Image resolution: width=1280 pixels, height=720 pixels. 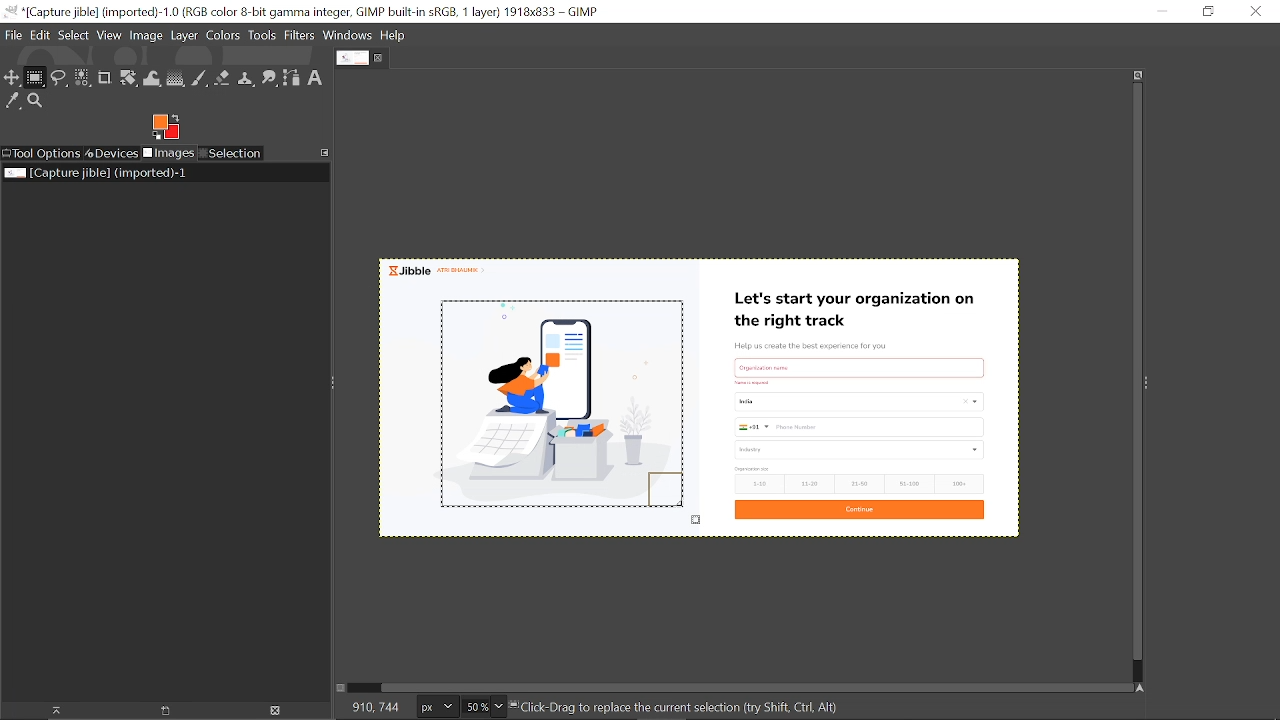 What do you see at coordinates (857, 404) in the screenshot?
I see `Country` at bounding box center [857, 404].